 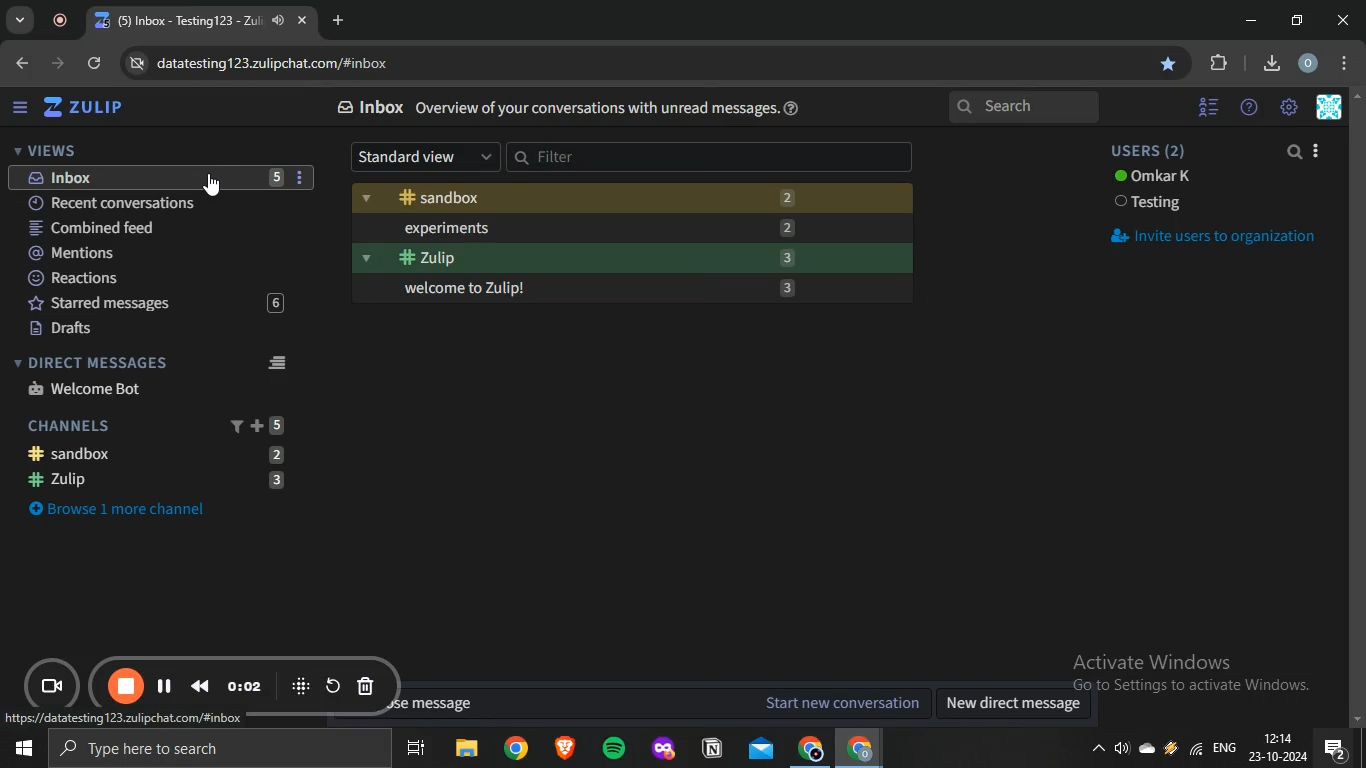 I want to click on date and time, so click(x=1277, y=749).